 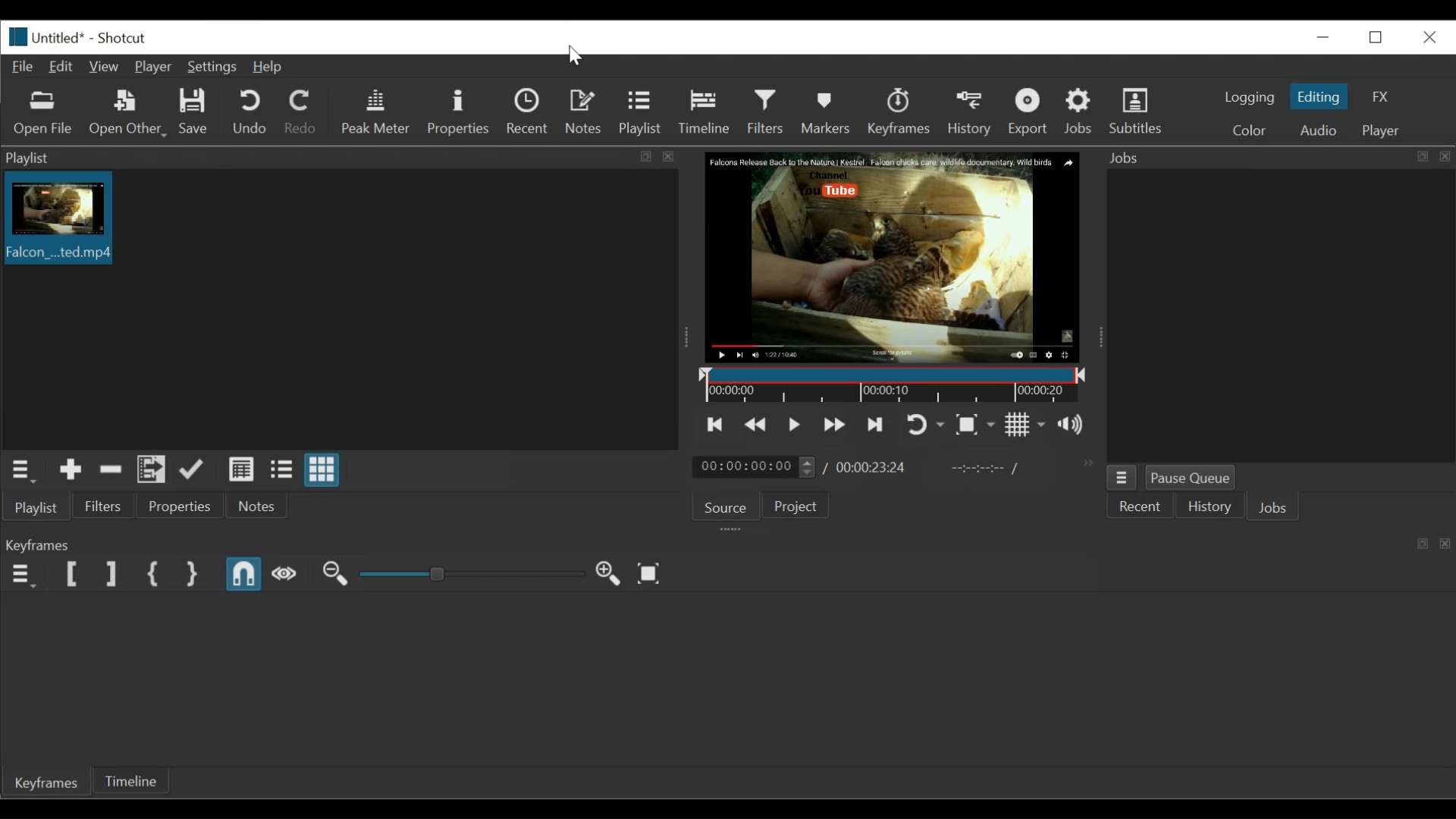 What do you see at coordinates (1141, 508) in the screenshot?
I see `Recent` at bounding box center [1141, 508].